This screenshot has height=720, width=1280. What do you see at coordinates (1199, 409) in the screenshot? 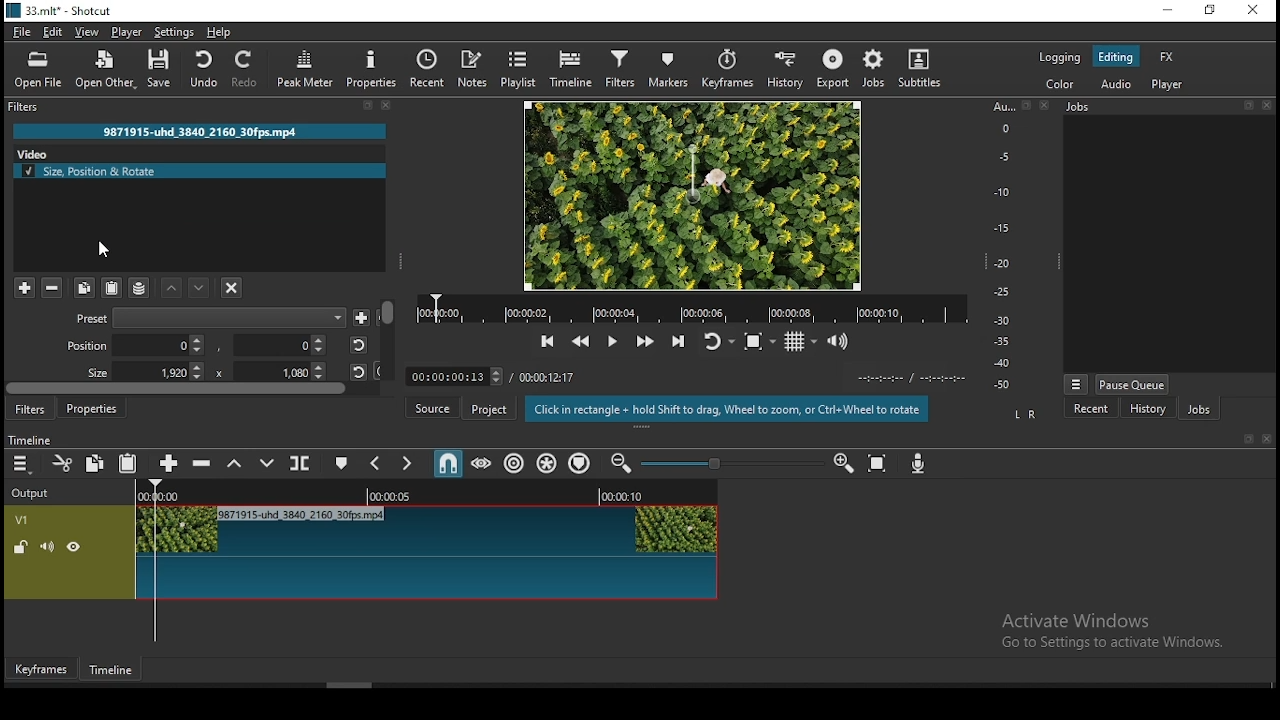
I see `jobs` at bounding box center [1199, 409].